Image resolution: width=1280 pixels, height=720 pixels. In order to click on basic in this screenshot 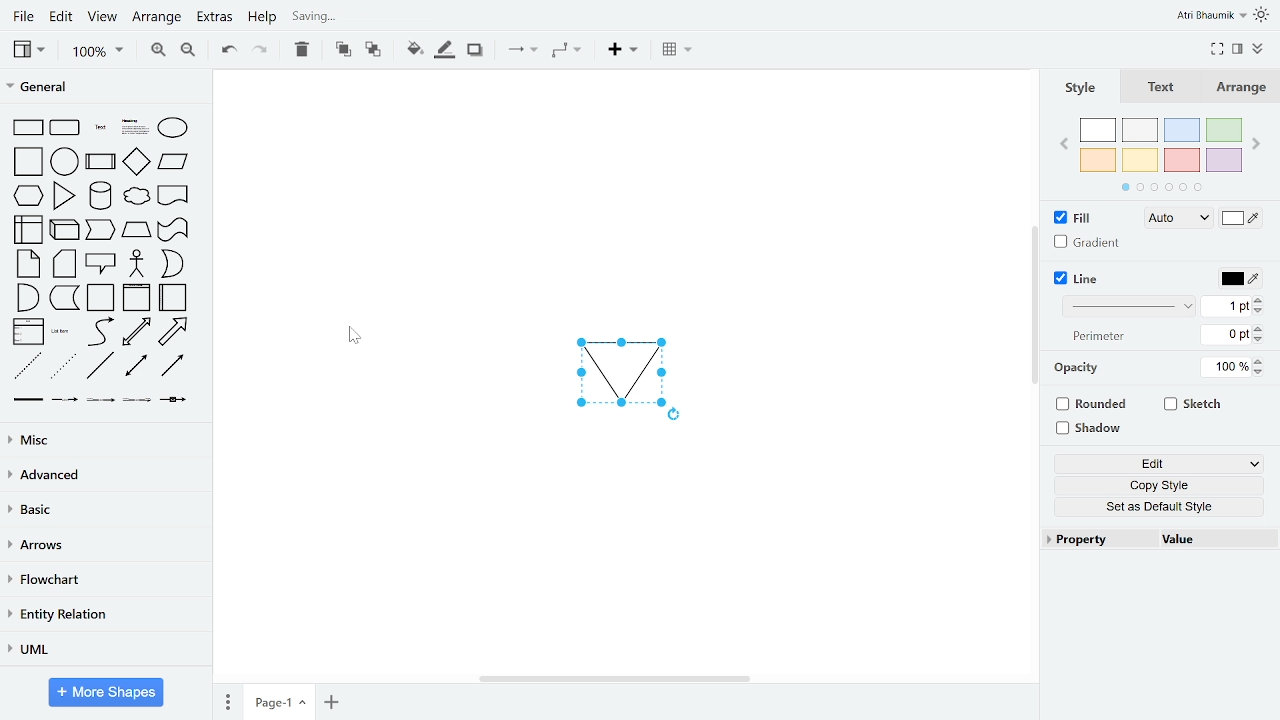, I will do `click(103, 511)`.